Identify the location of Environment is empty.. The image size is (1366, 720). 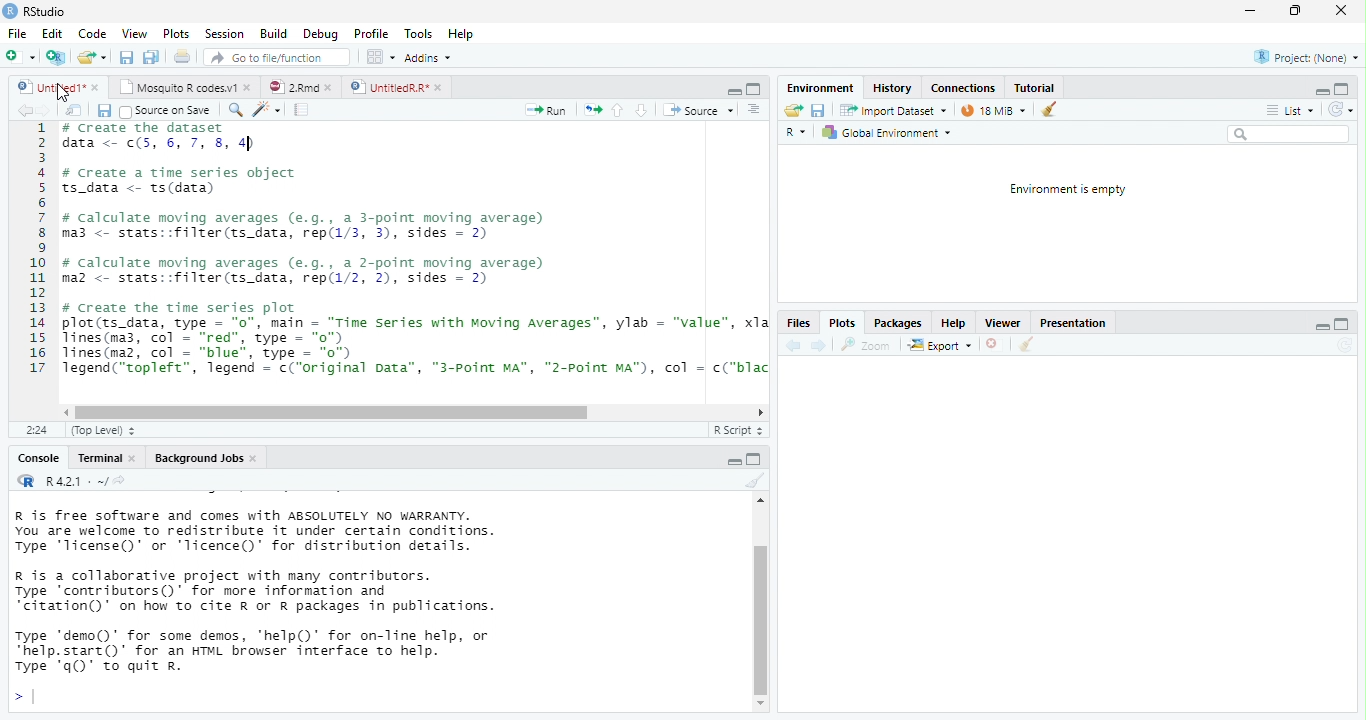
(1067, 190).